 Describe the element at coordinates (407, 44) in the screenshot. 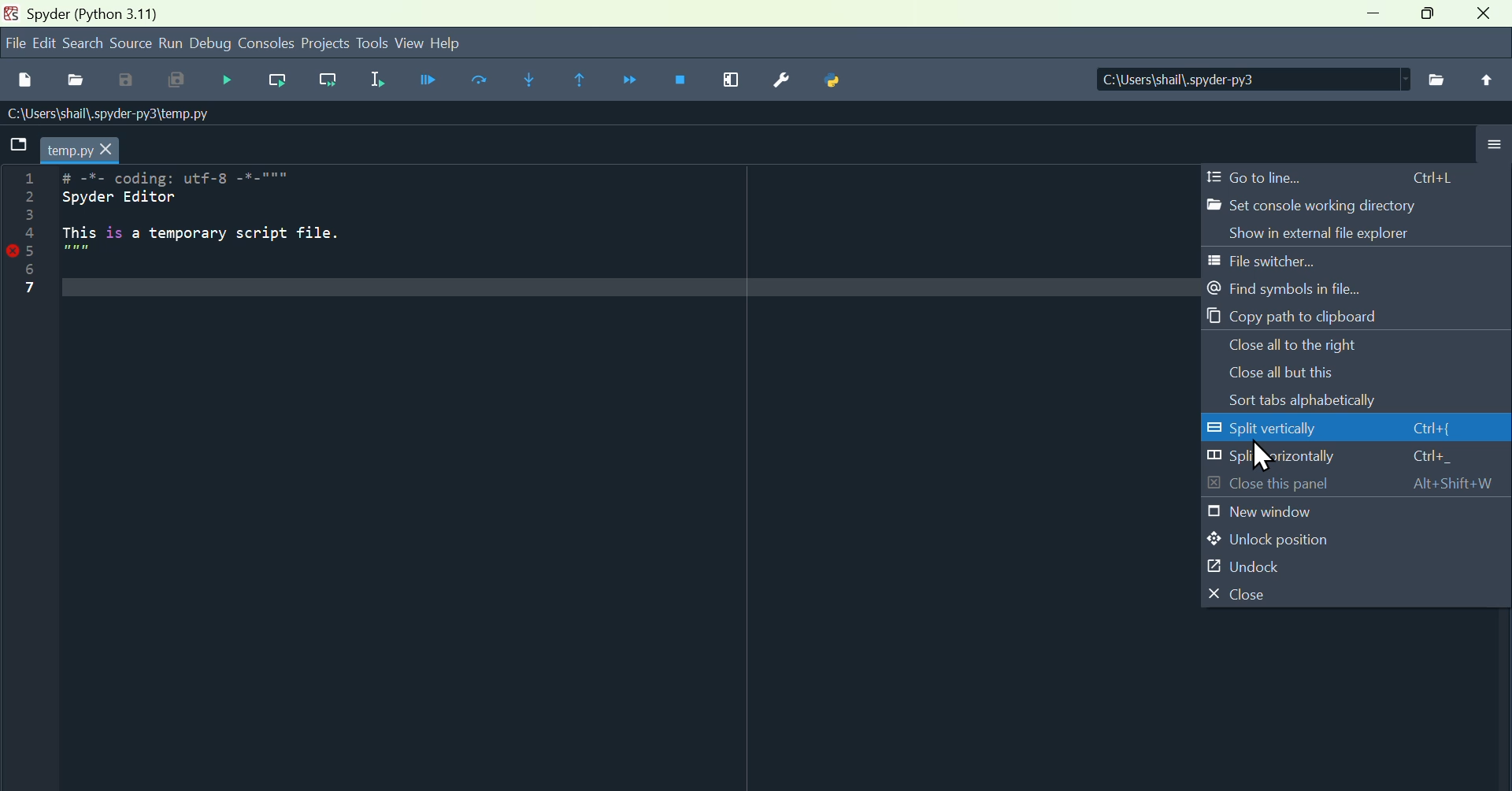

I see `View` at that location.